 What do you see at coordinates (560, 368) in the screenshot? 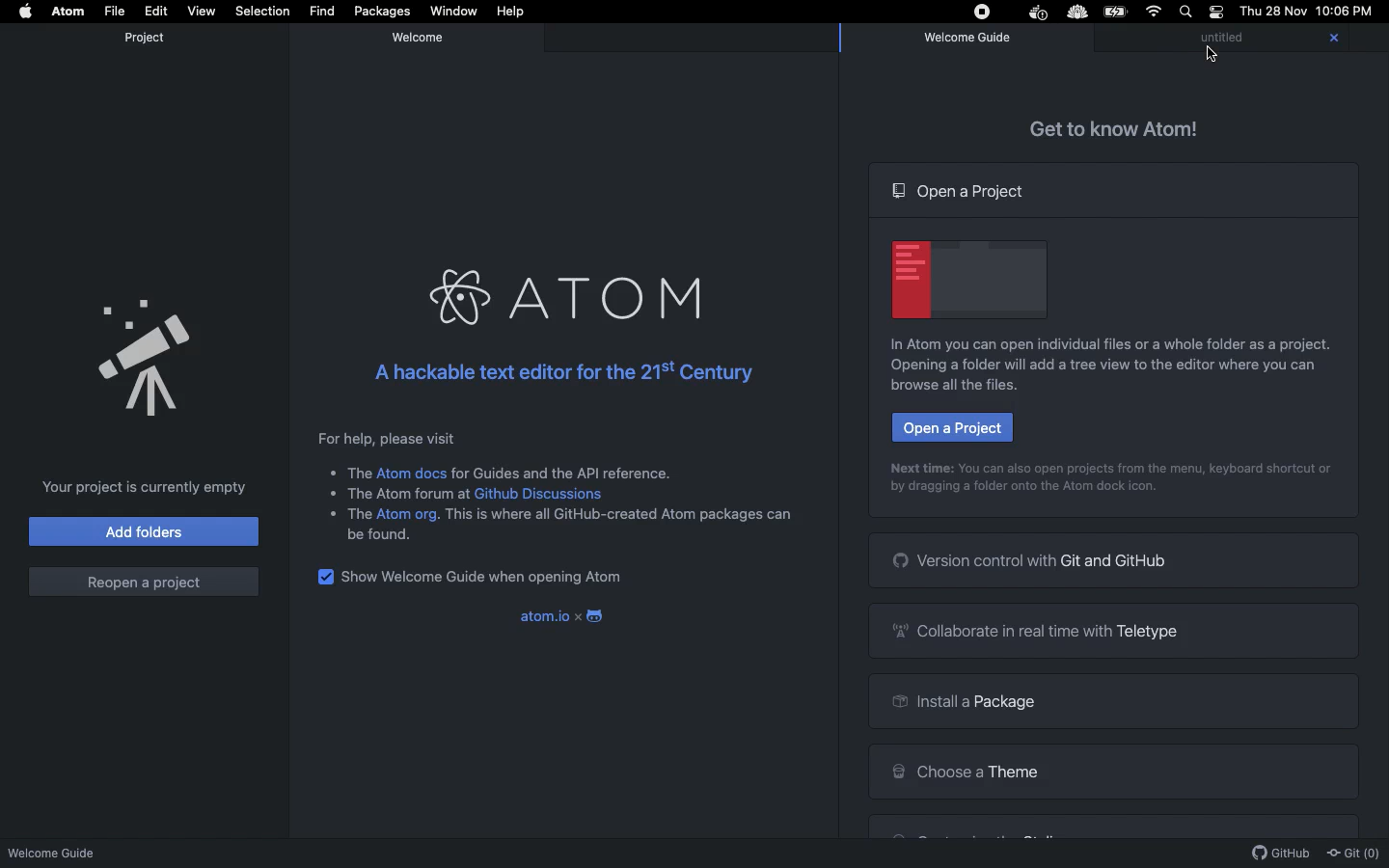
I see `Hackable text editor` at bounding box center [560, 368].